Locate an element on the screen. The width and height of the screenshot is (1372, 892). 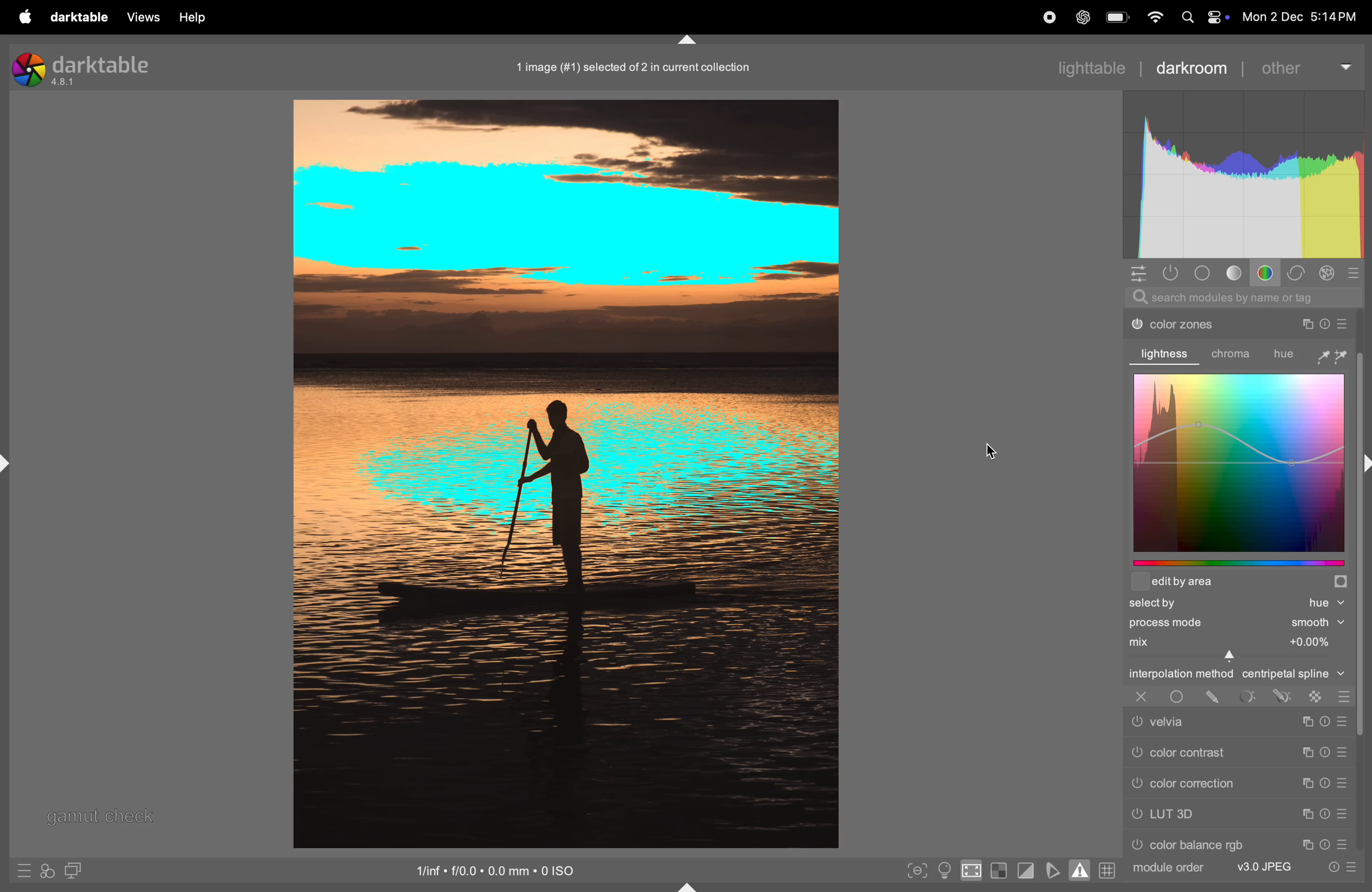
5:14PM is located at coordinates (1333, 17).